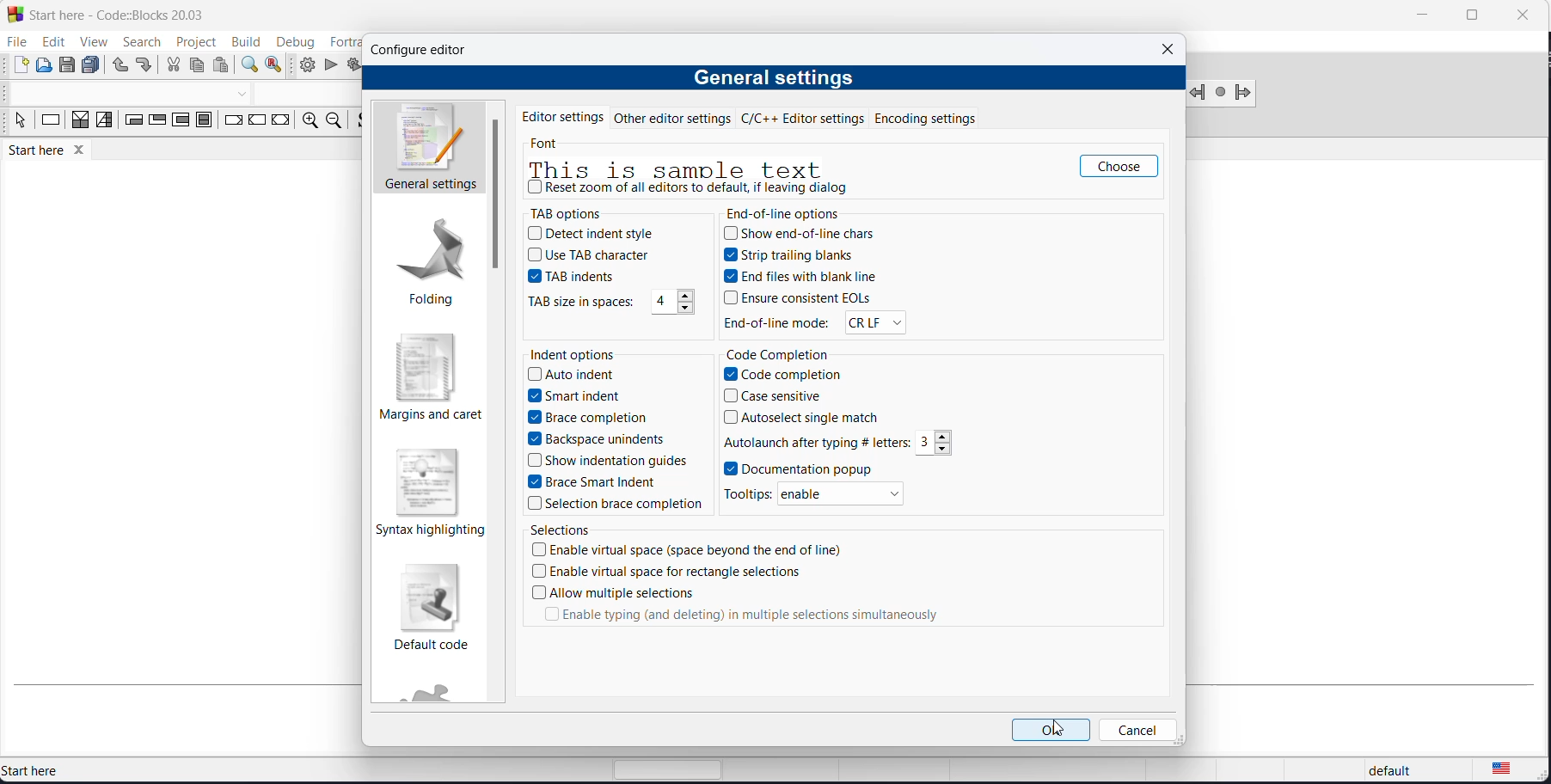 This screenshot has width=1551, height=784. I want to click on redo, so click(145, 67).